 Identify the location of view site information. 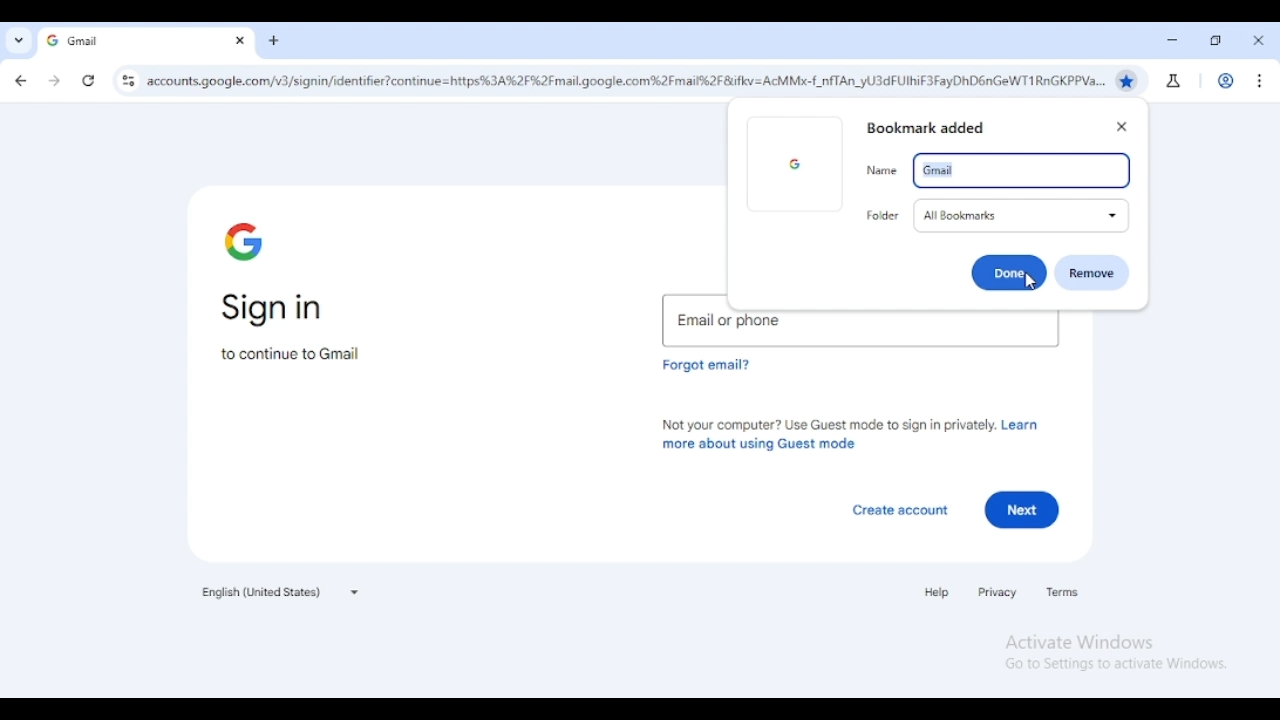
(127, 81).